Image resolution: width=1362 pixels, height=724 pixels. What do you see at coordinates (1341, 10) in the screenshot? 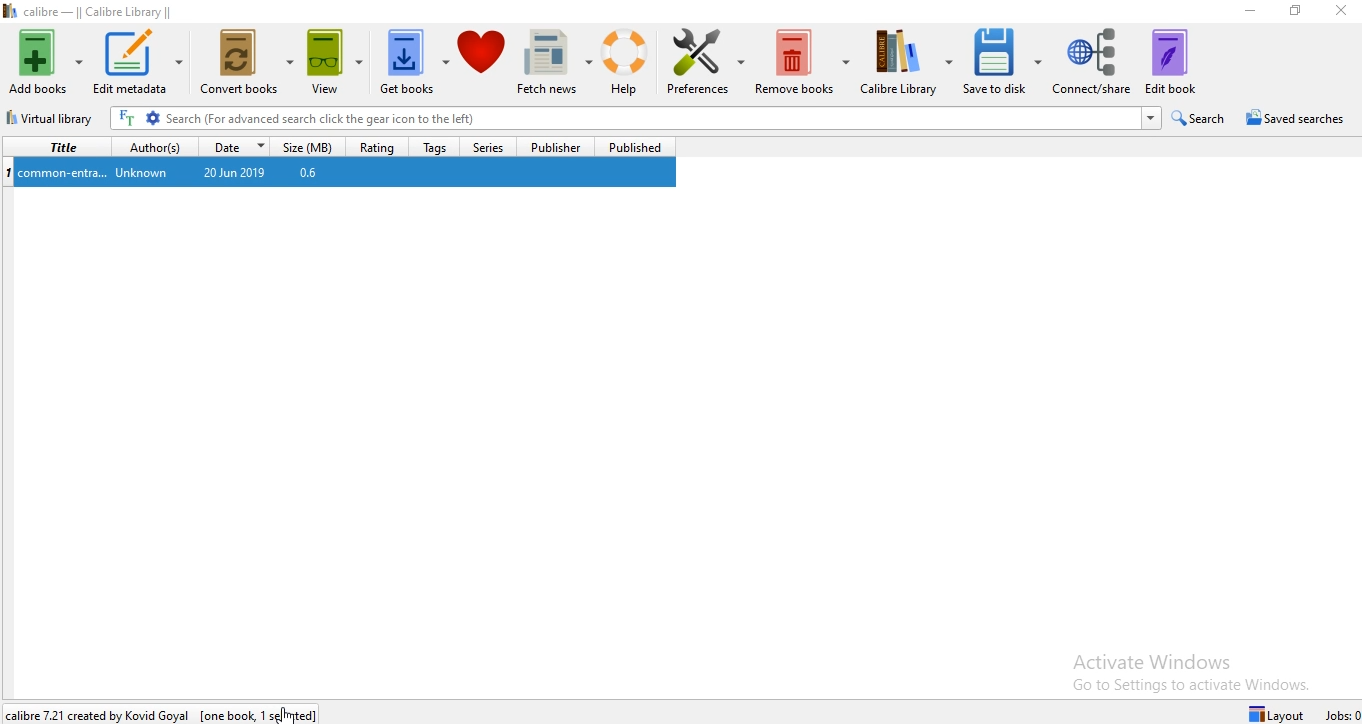
I see `Close` at bounding box center [1341, 10].